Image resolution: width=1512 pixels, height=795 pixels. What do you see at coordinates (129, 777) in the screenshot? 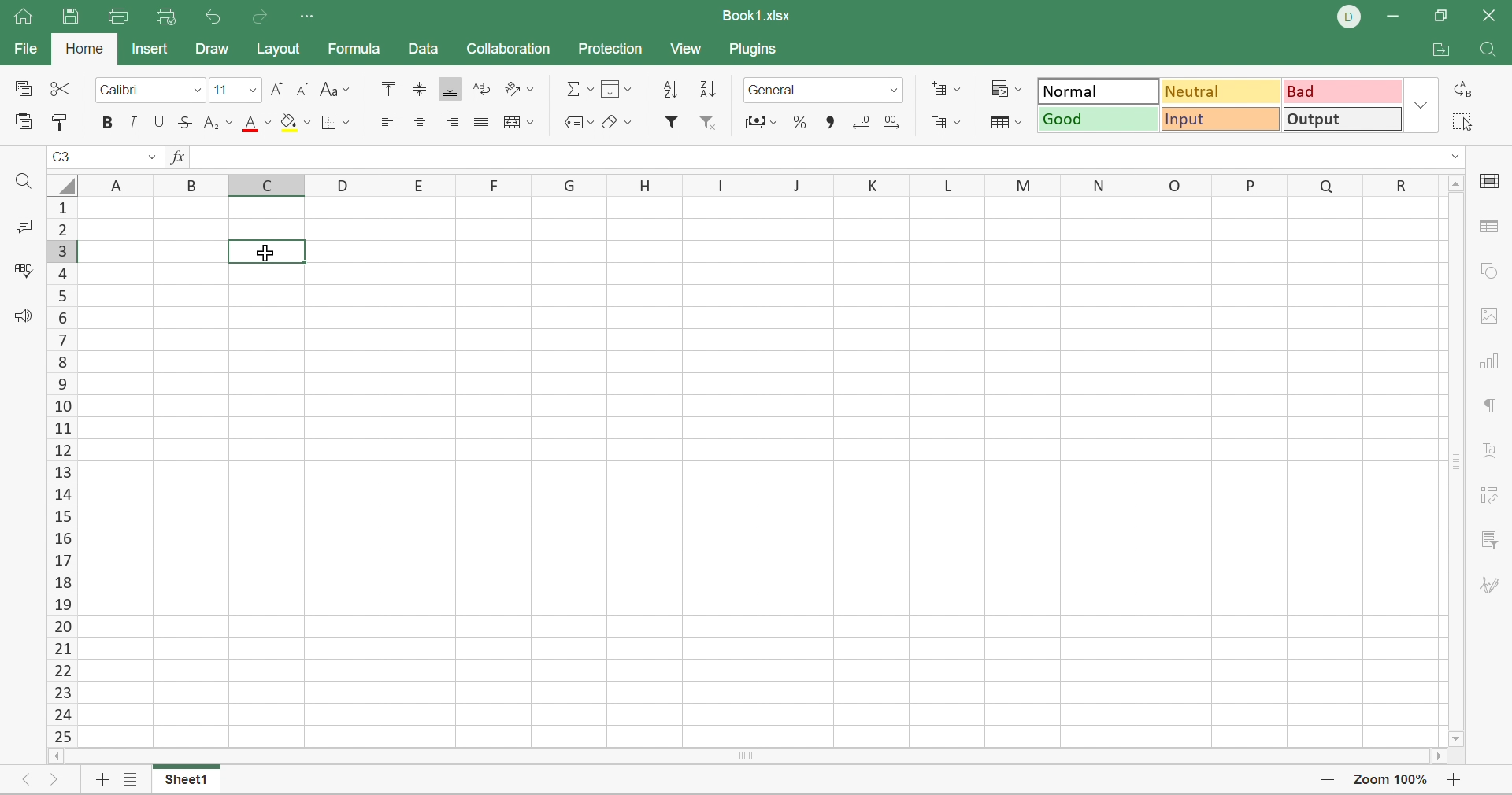
I see `List of sheets` at bounding box center [129, 777].